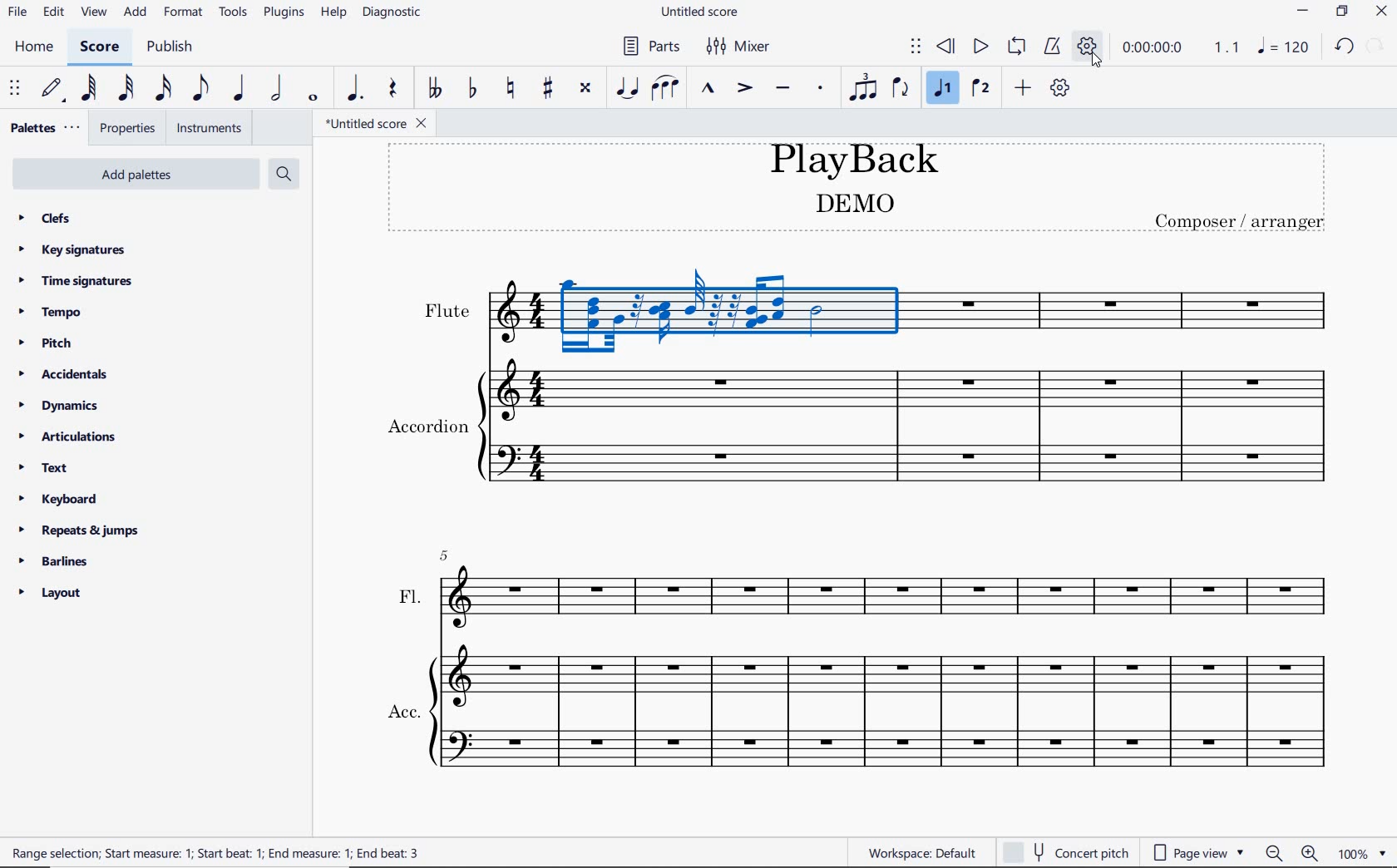 The height and width of the screenshot is (868, 1397). Describe the element at coordinates (100, 47) in the screenshot. I see `score` at that location.